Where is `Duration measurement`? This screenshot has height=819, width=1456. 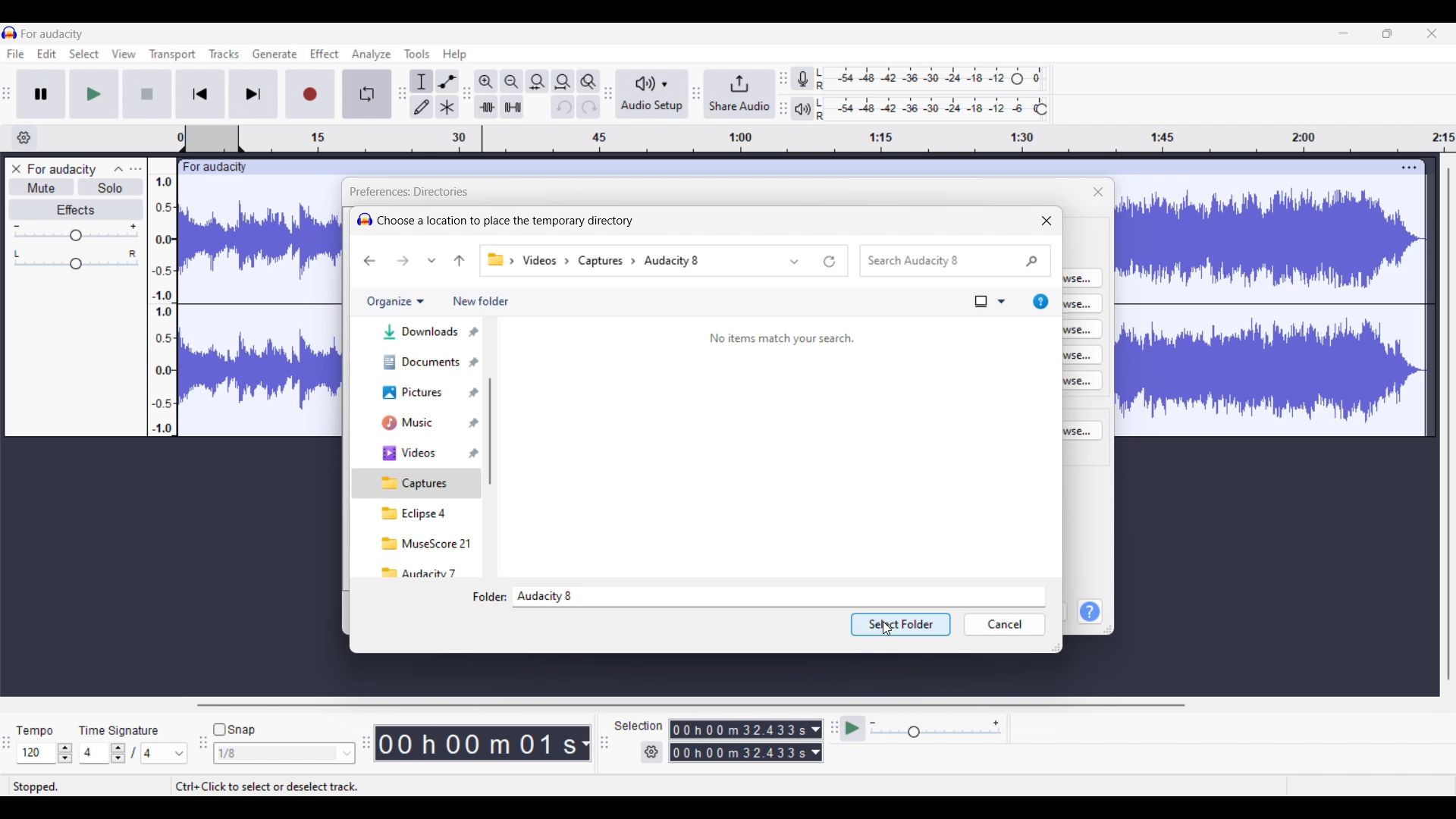 Duration measurement is located at coordinates (816, 742).